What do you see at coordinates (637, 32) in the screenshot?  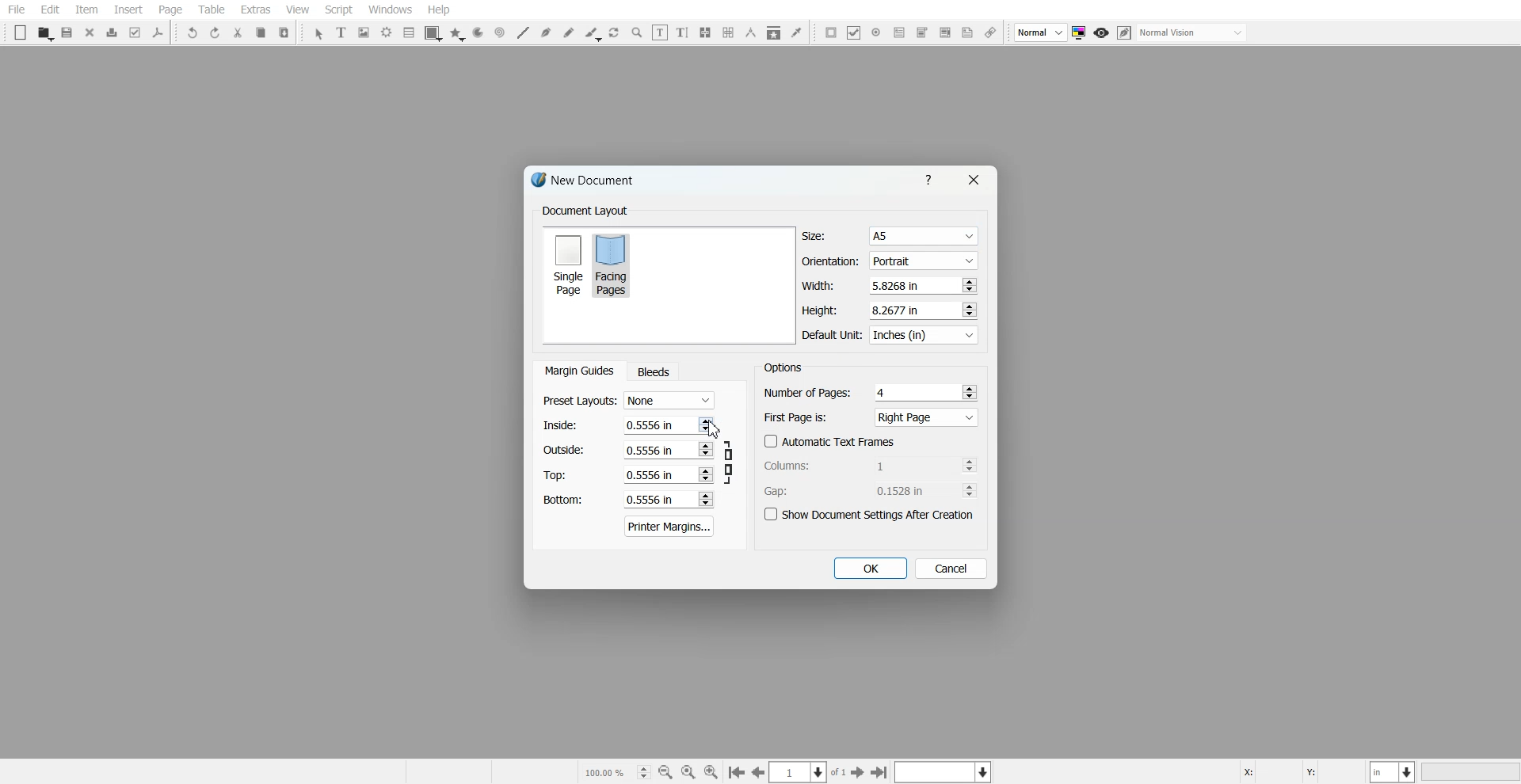 I see `Zoom in or Out` at bounding box center [637, 32].